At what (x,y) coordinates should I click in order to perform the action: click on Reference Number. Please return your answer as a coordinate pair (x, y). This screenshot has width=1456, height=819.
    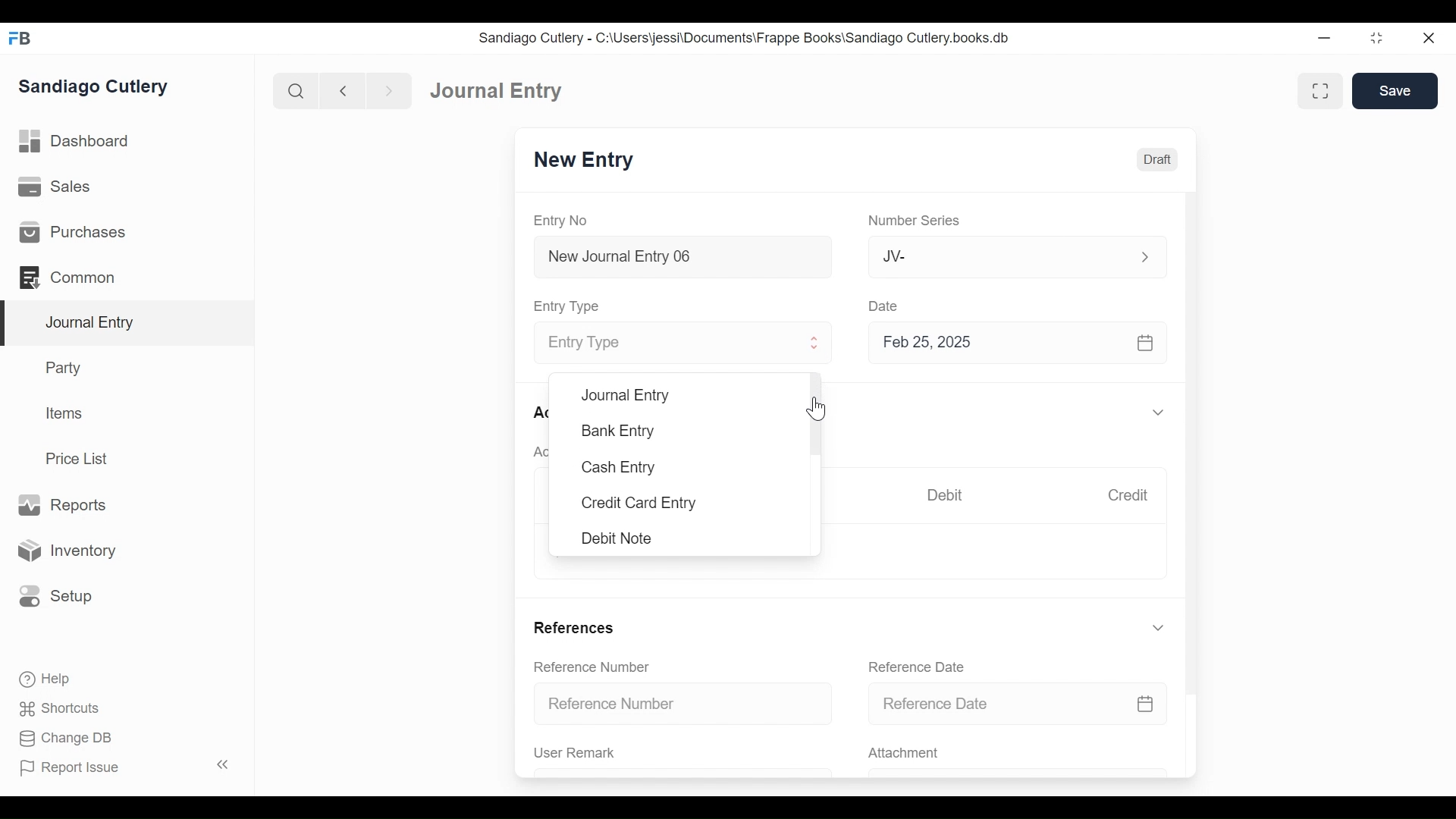
    Looking at the image, I should click on (591, 666).